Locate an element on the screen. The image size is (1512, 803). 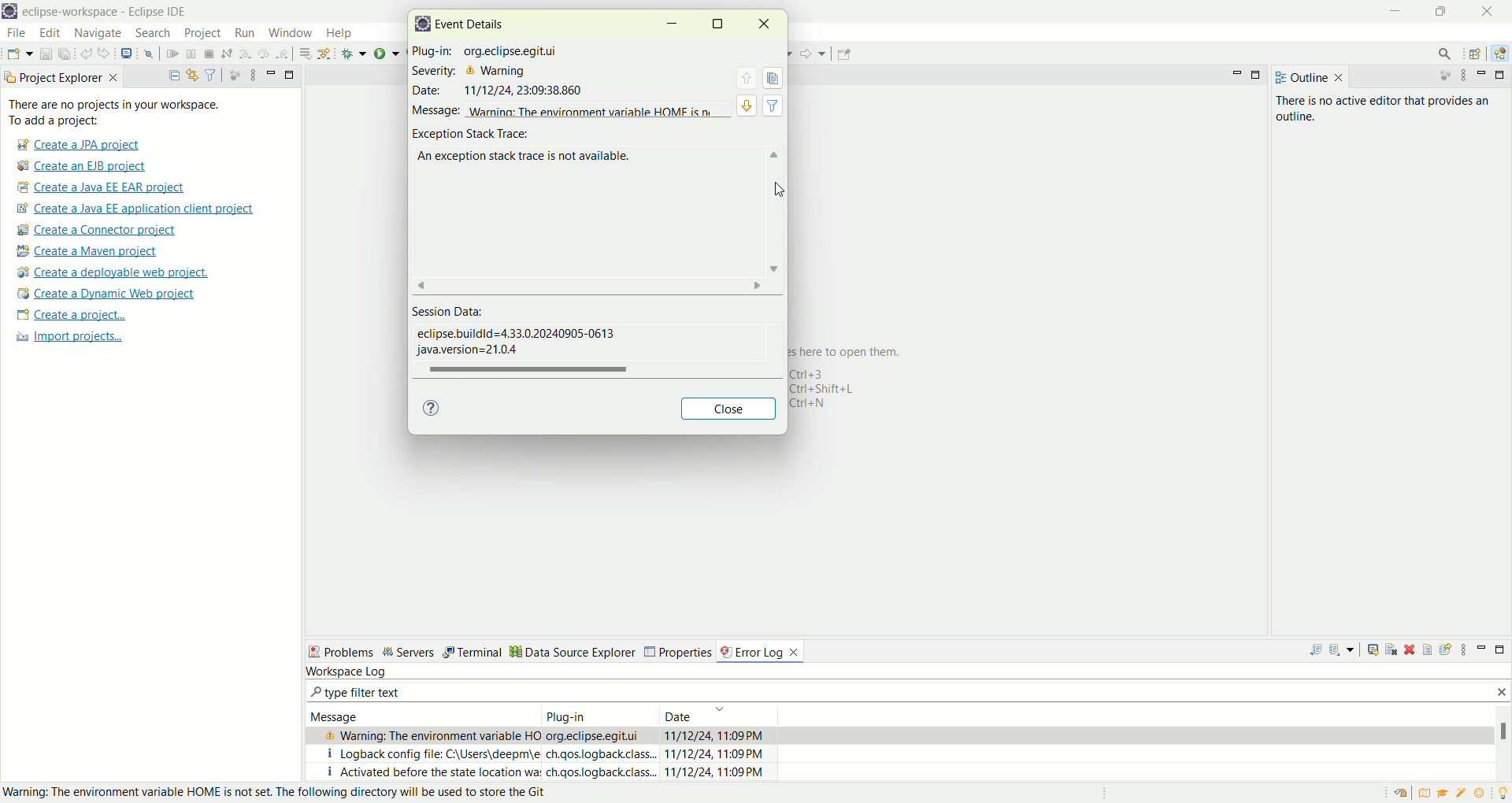
Properties is located at coordinates (681, 649).